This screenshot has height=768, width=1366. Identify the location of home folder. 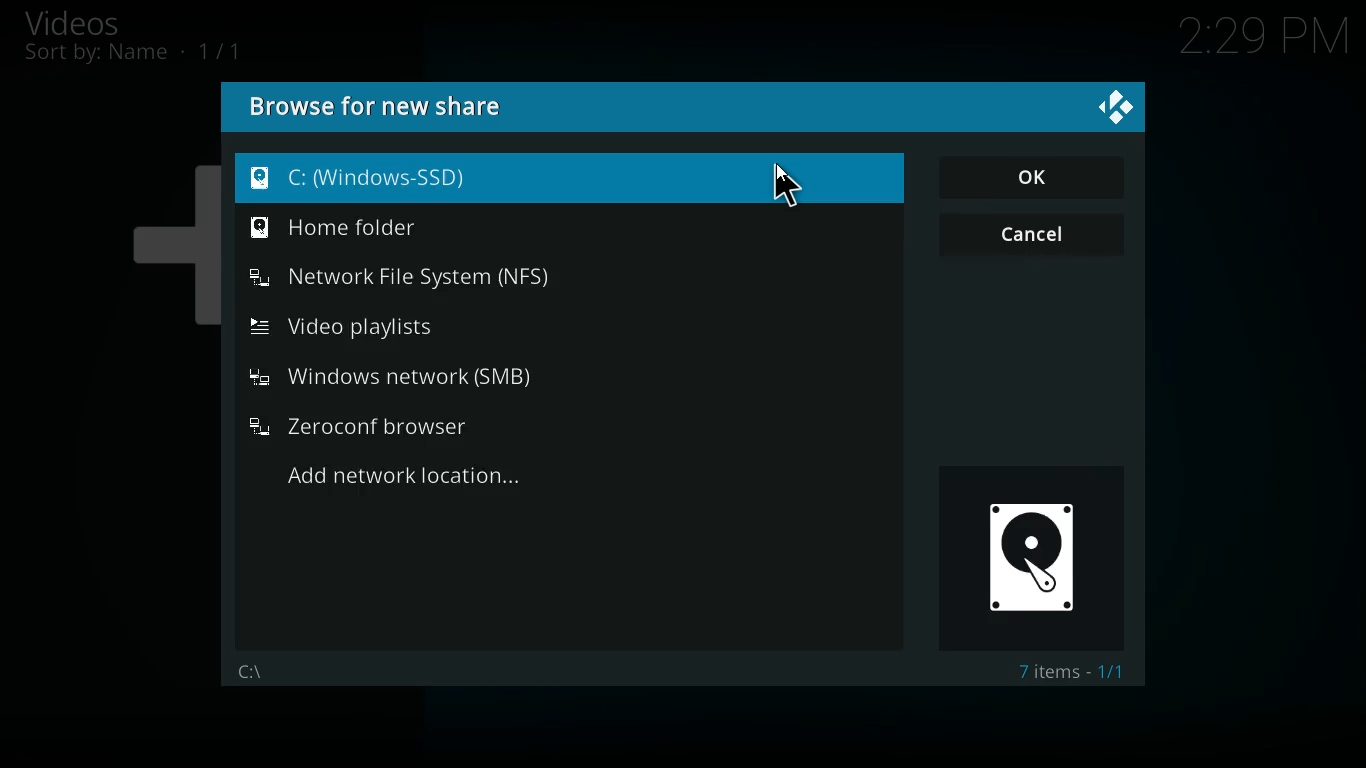
(422, 228).